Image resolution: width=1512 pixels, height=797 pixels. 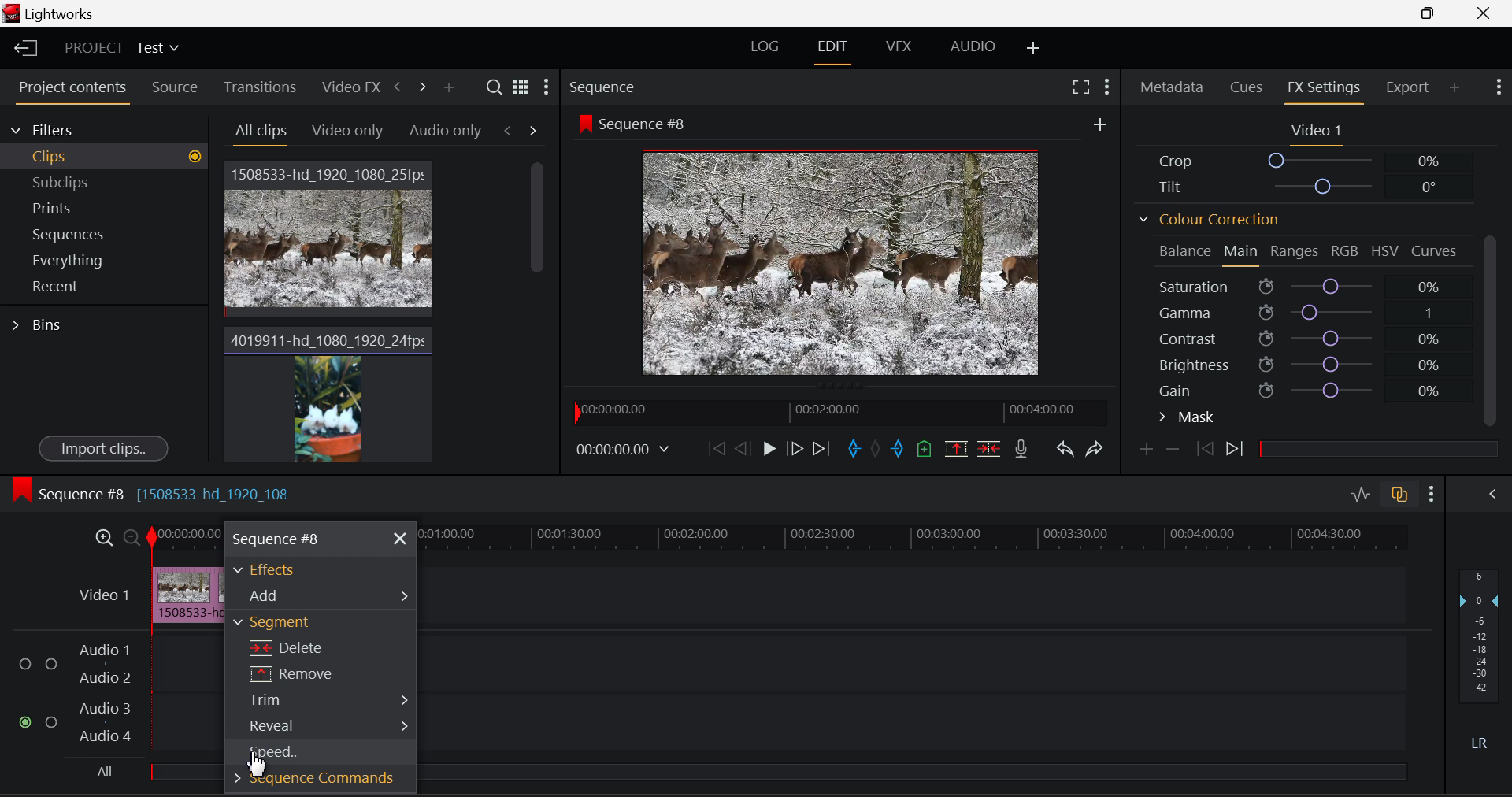 What do you see at coordinates (321, 648) in the screenshot?
I see `Delete` at bounding box center [321, 648].